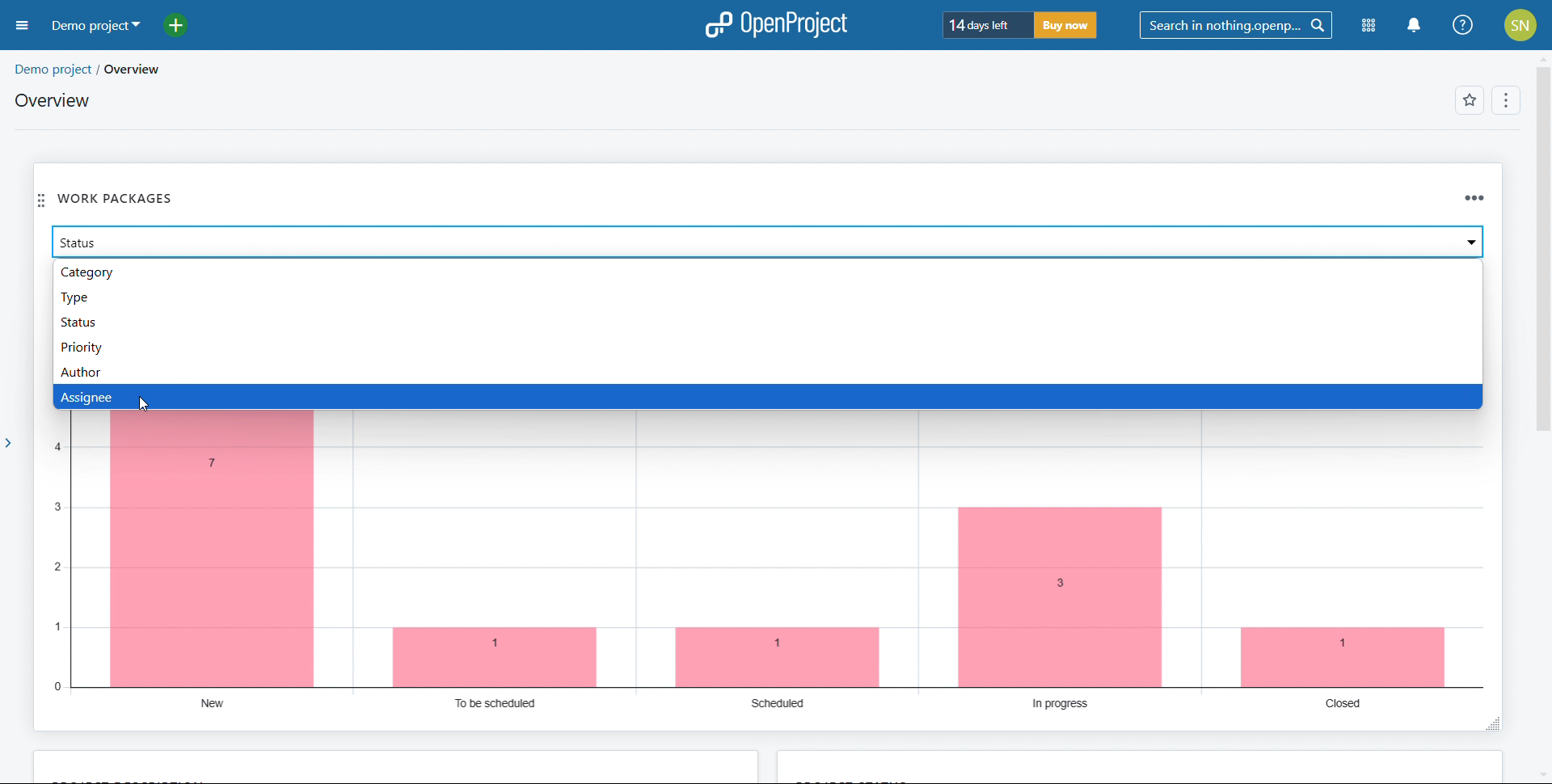 The width and height of the screenshot is (1552, 784). What do you see at coordinates (55, 99) in the screenshot?
I see `overview` at bounding box center [55, 99].